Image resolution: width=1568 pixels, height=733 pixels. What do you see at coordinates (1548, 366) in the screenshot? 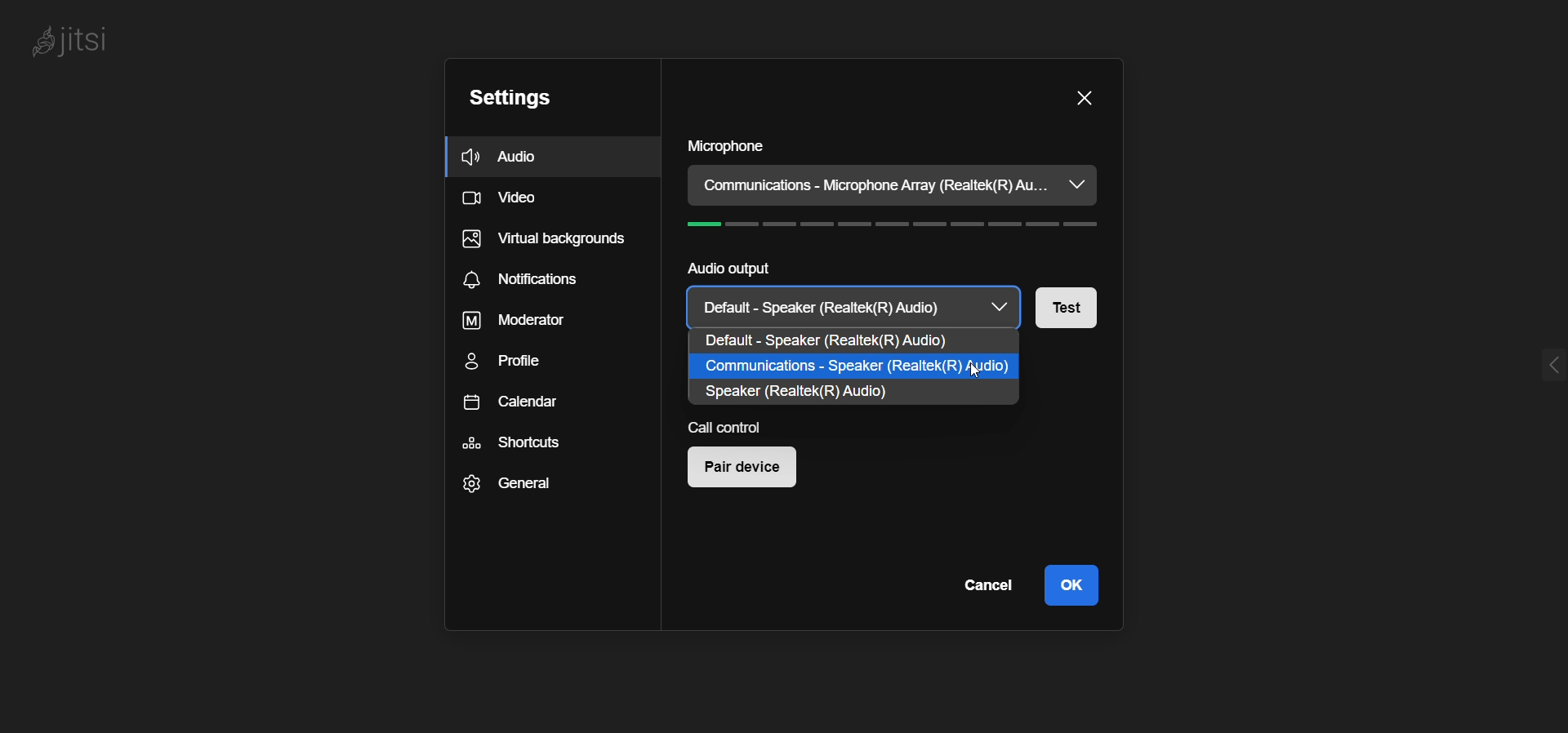
I see `expand` at bounding box center [1548, 366].